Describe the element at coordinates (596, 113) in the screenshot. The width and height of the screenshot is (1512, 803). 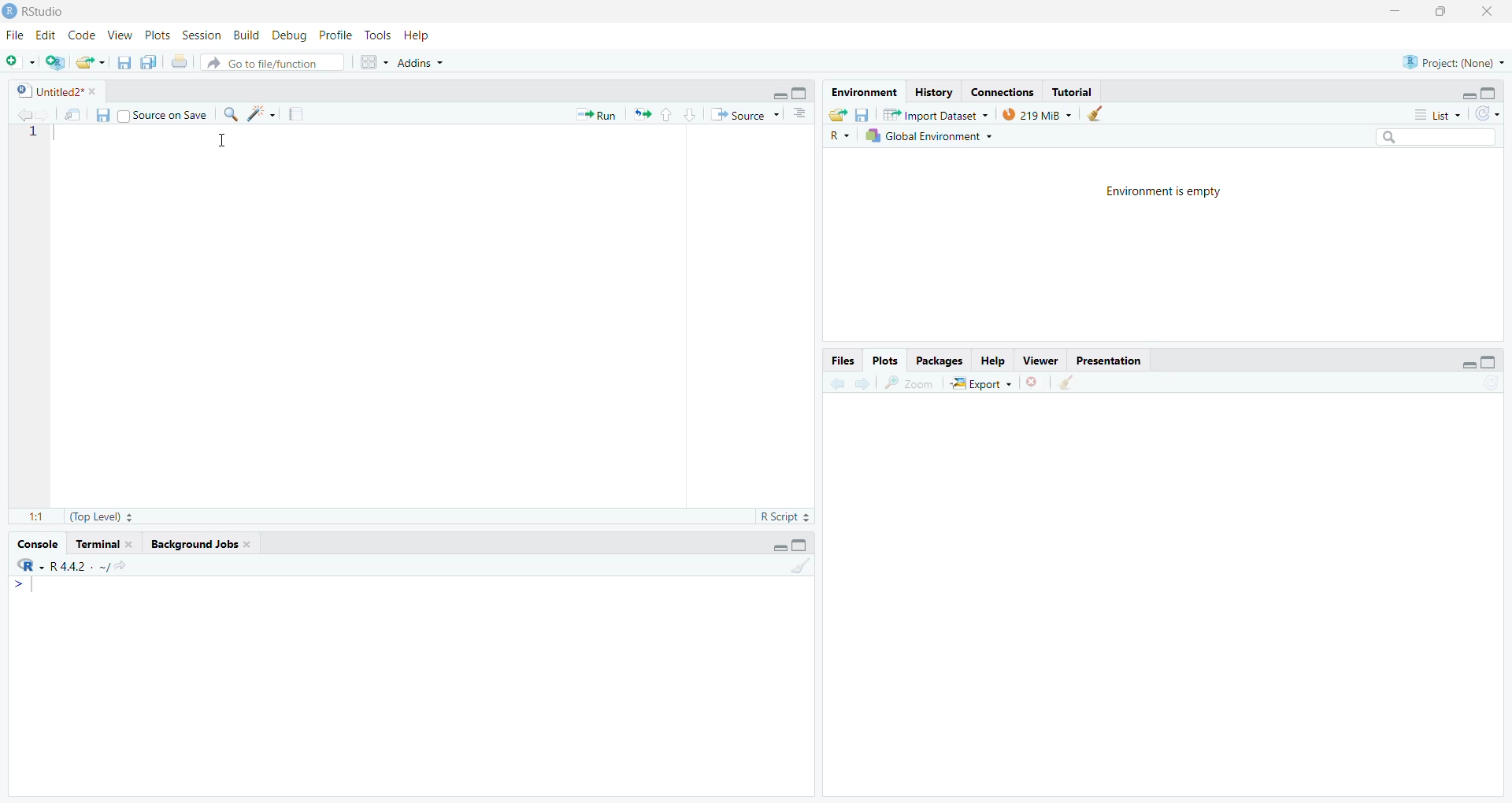
I see `Run current line or section` at that location.